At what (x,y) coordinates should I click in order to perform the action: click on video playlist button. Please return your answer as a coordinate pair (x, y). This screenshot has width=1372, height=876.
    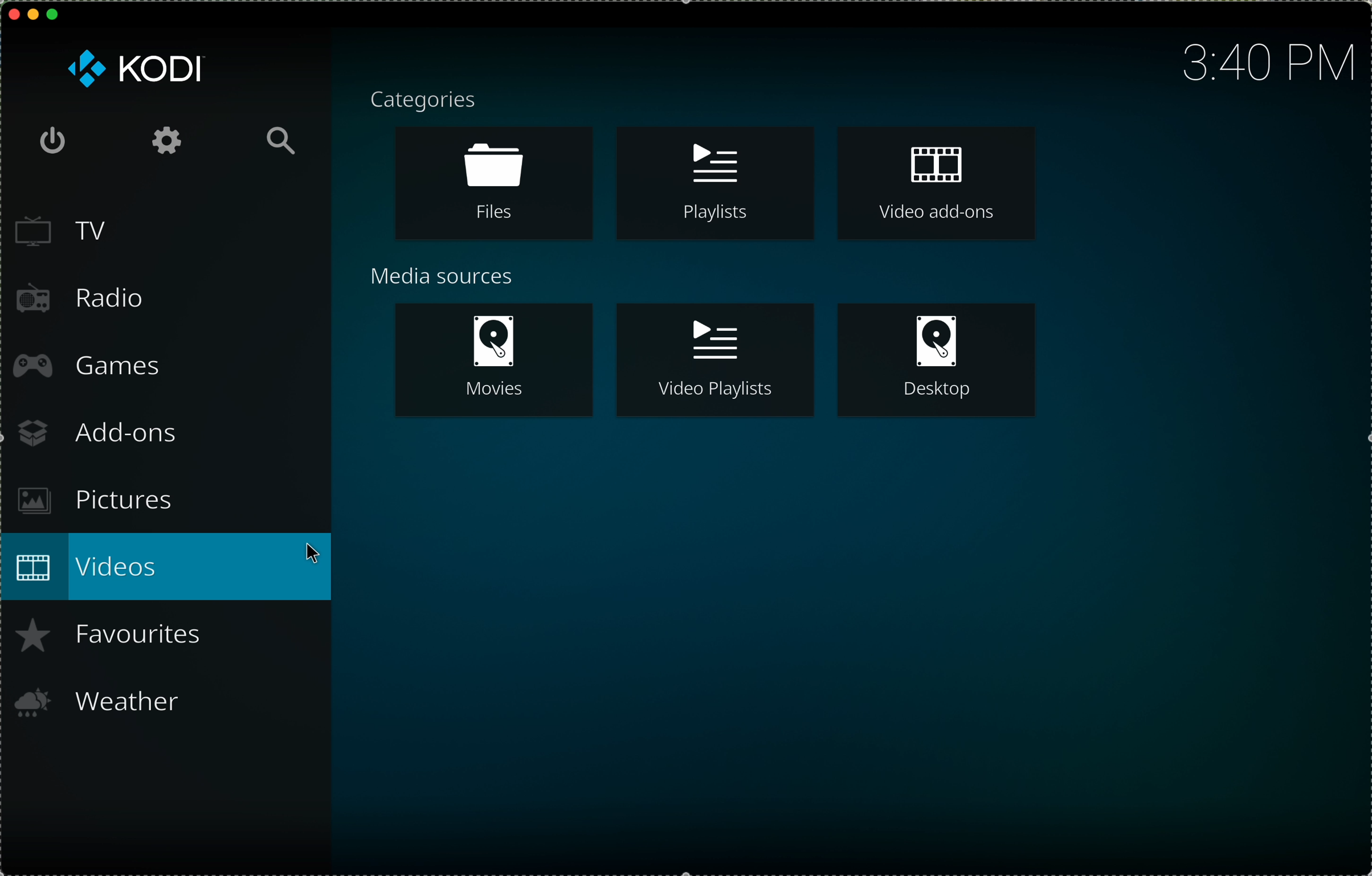
    Looking at the image, I should click on (713, 362).